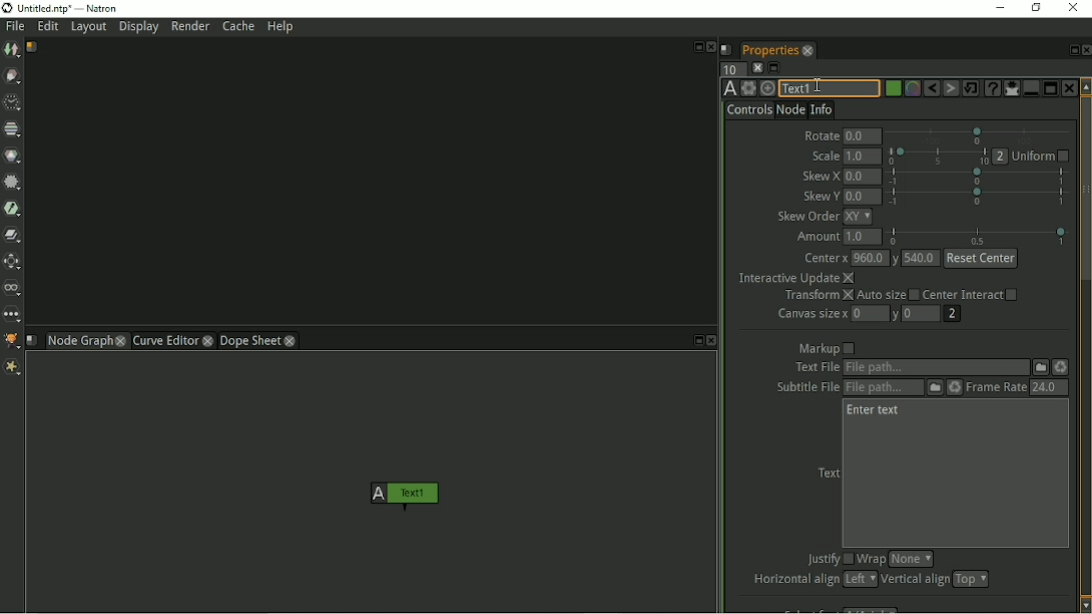  Describe the element at coordinates (862, 156) in the screenshot. I see `1.0` at that location.